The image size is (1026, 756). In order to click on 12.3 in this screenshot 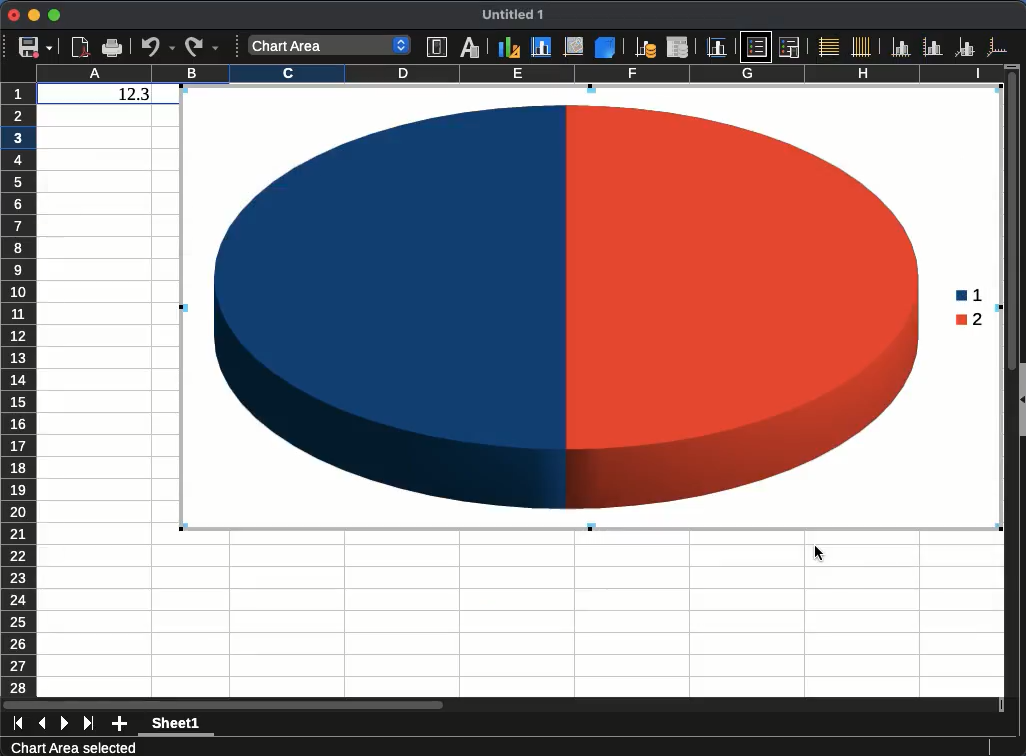, I will do `click(134, 94)`.